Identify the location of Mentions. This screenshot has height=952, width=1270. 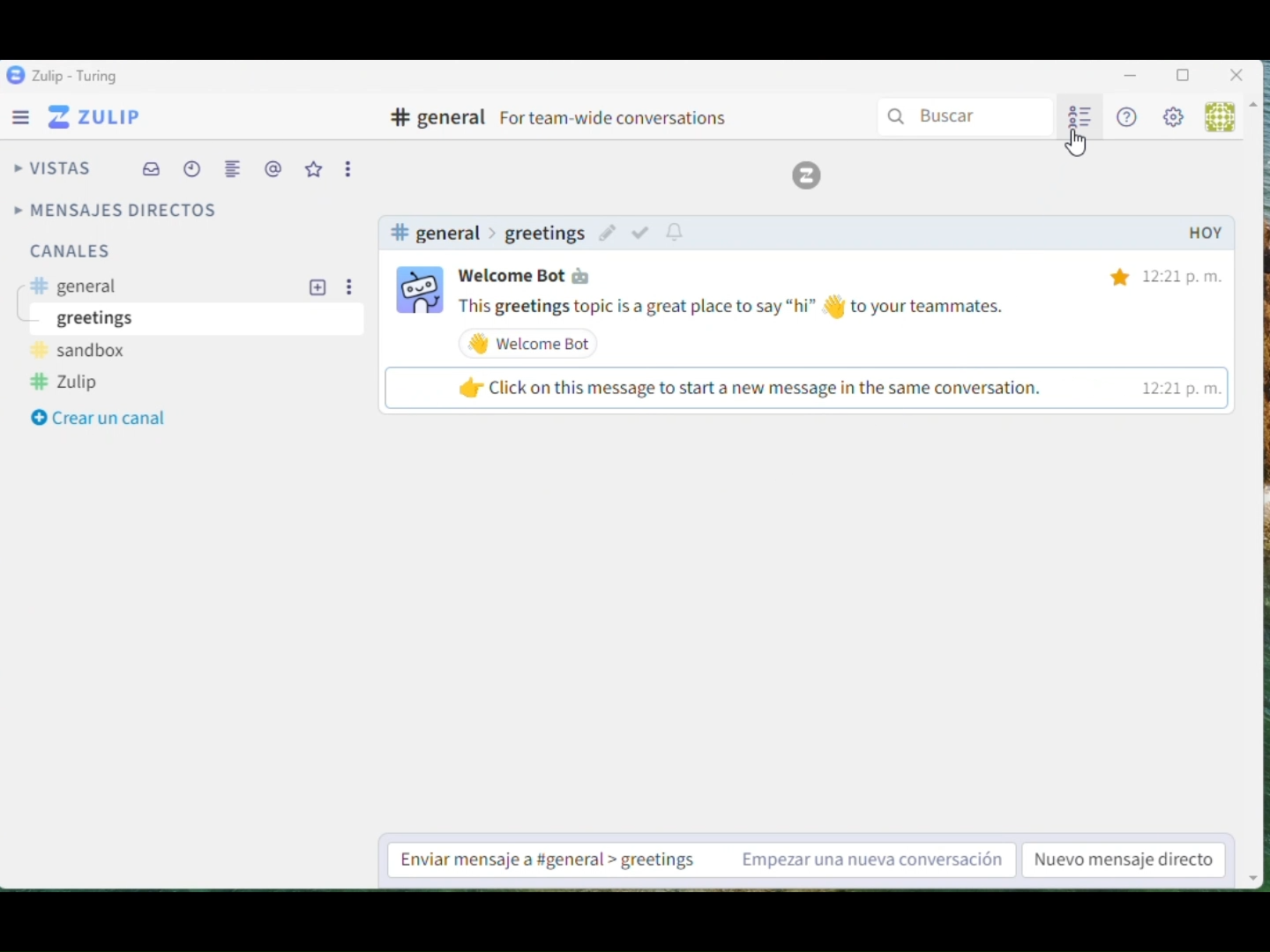
(273, 168).